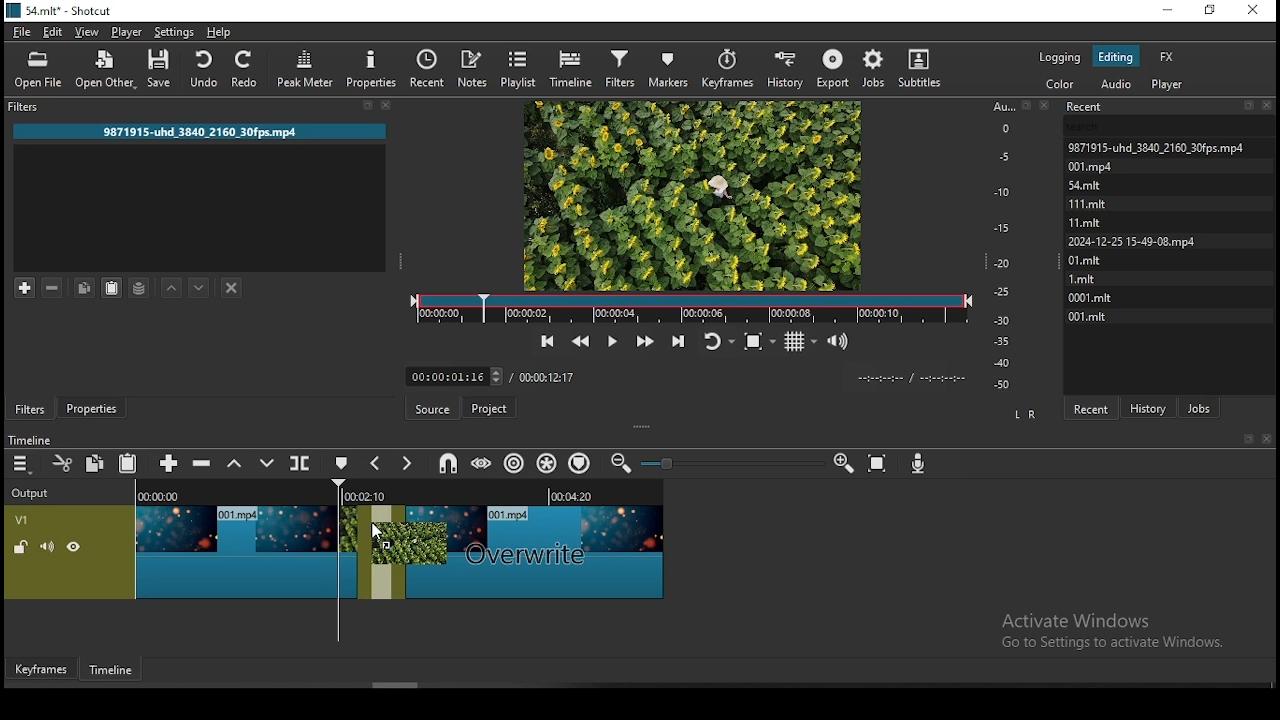 The image size is (1280, 720). I want to click on ripple all tracks, so click(543, 464).